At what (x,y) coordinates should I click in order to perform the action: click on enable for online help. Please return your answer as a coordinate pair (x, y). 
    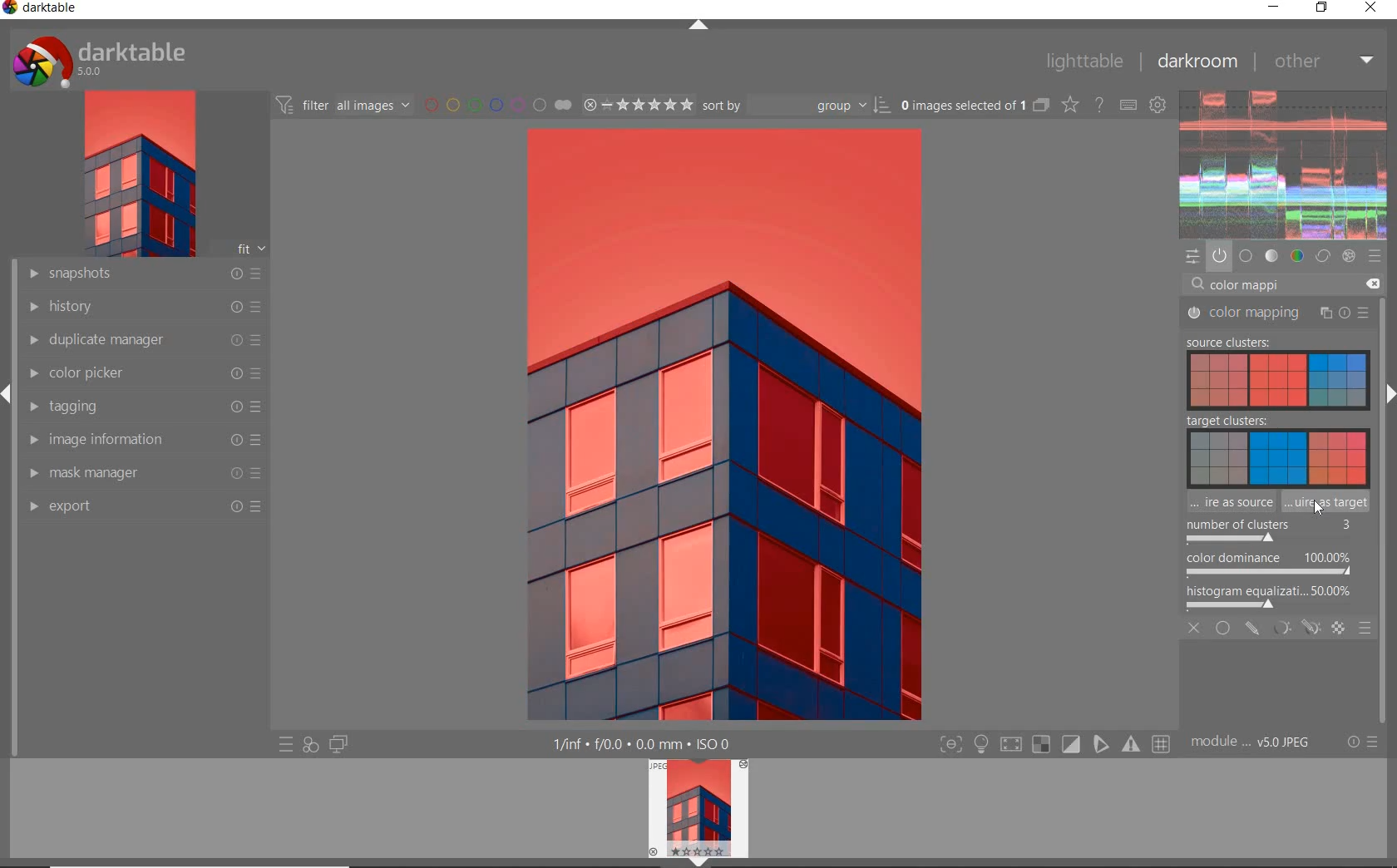
    Looking at the image, I should click on (1099, 104).